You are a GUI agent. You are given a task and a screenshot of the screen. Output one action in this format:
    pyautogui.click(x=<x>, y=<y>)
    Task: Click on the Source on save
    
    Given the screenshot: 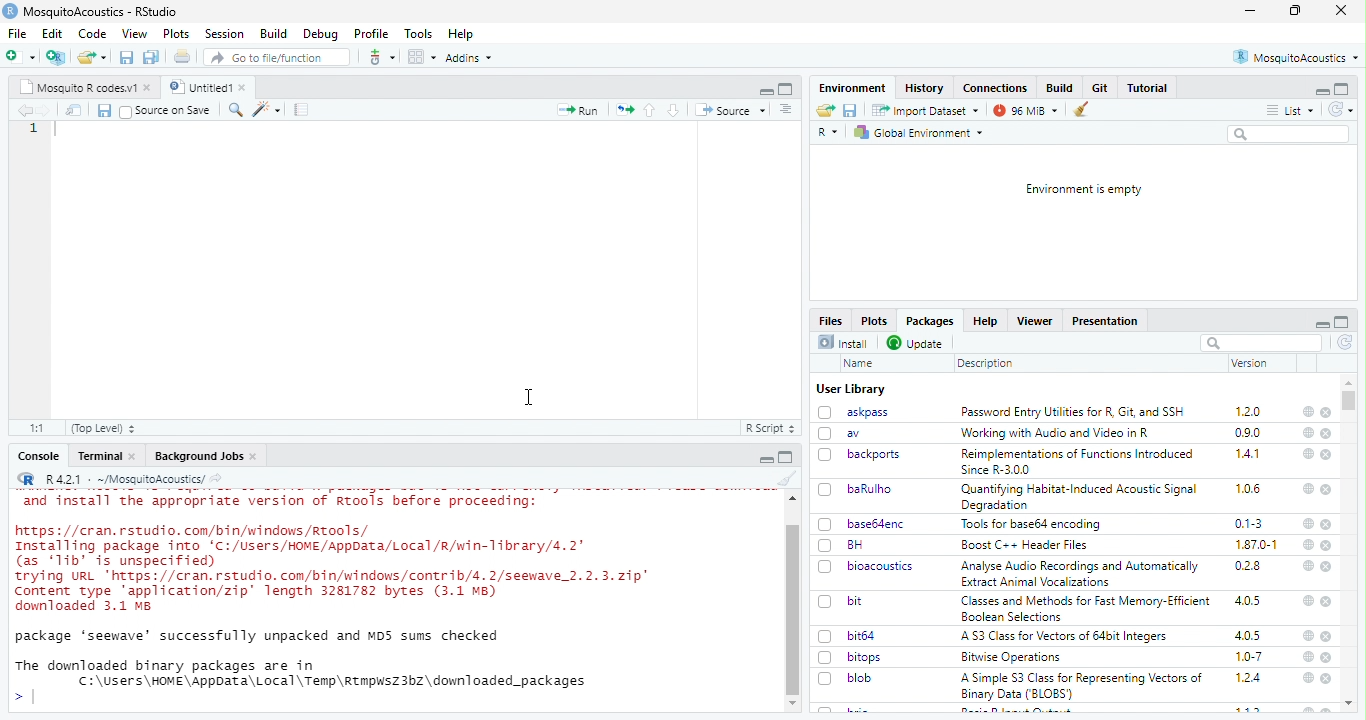 What is the action you would take?
    pyautogui.click(x=175, y=111)
    